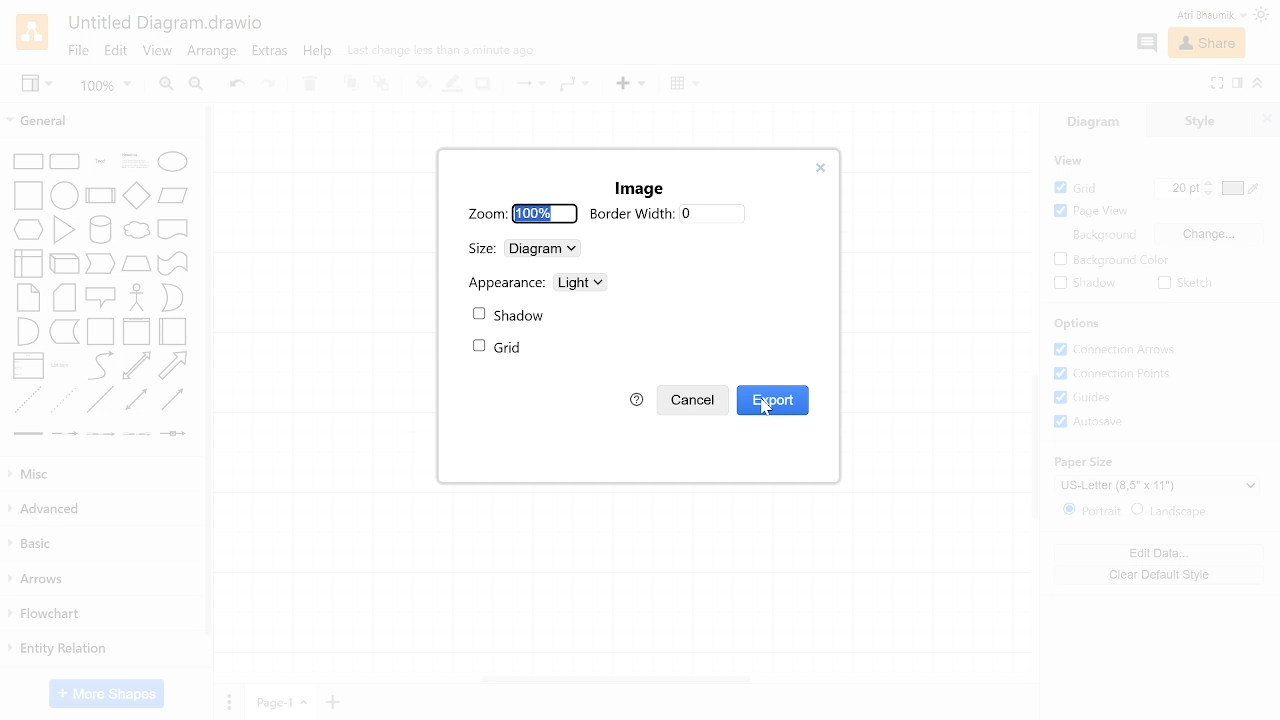  What do you see at coordinates (451, 84) in the screenshot?
I see `Fill line` at bounding box center [451, 84].